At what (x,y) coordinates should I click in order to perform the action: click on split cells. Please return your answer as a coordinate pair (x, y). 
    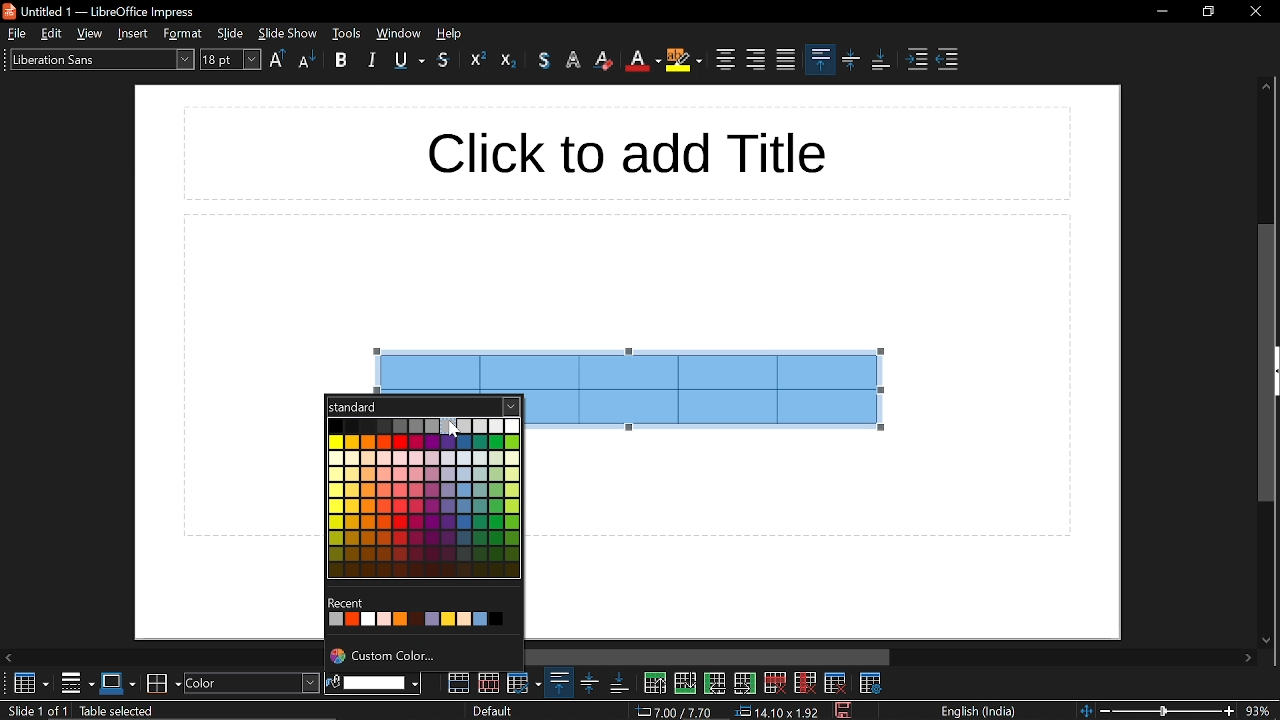
    Looking at the image, I should click on (487, 682).